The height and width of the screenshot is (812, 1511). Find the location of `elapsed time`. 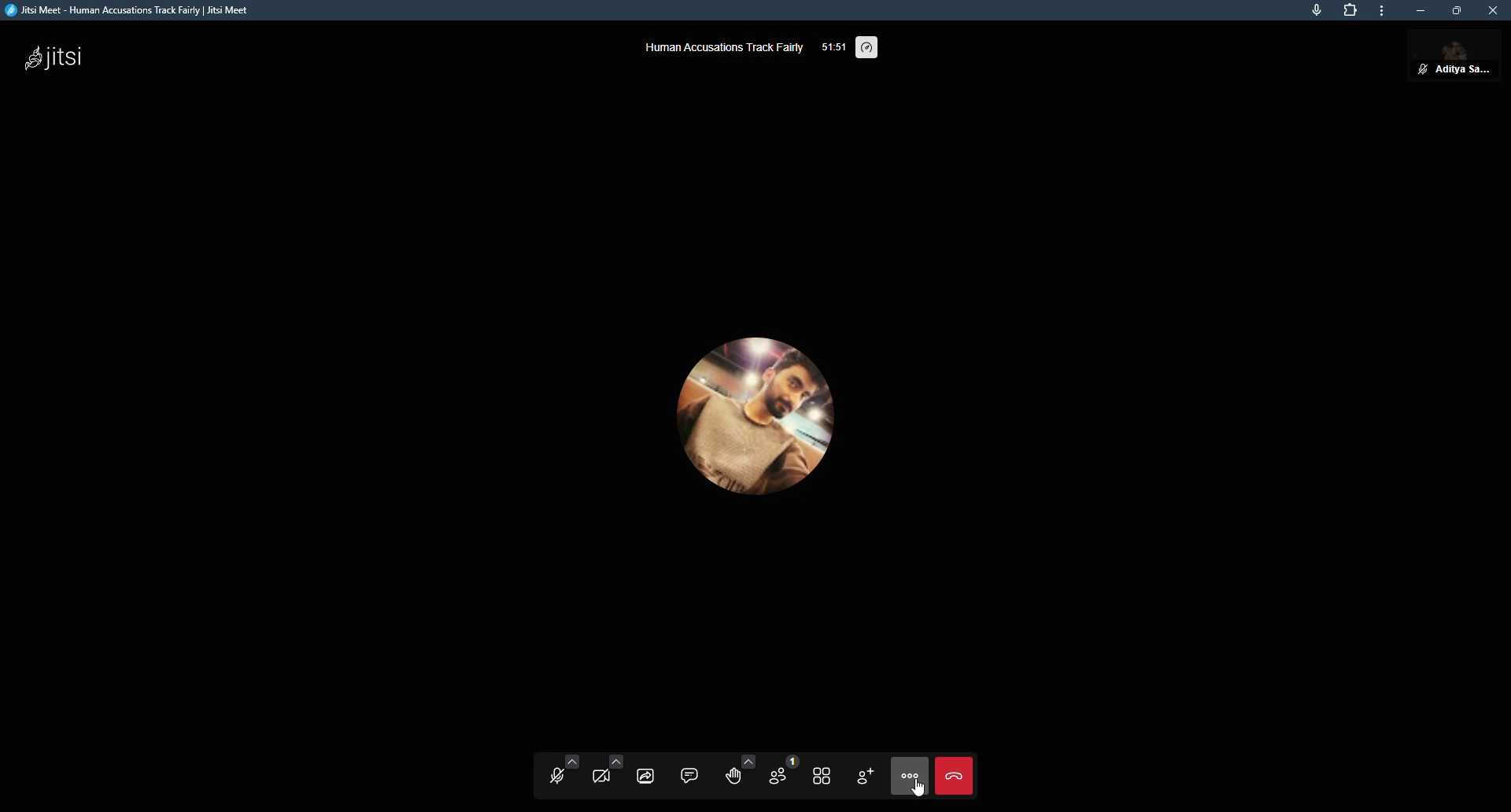

elapsed time is located at coordinates (833, 47).